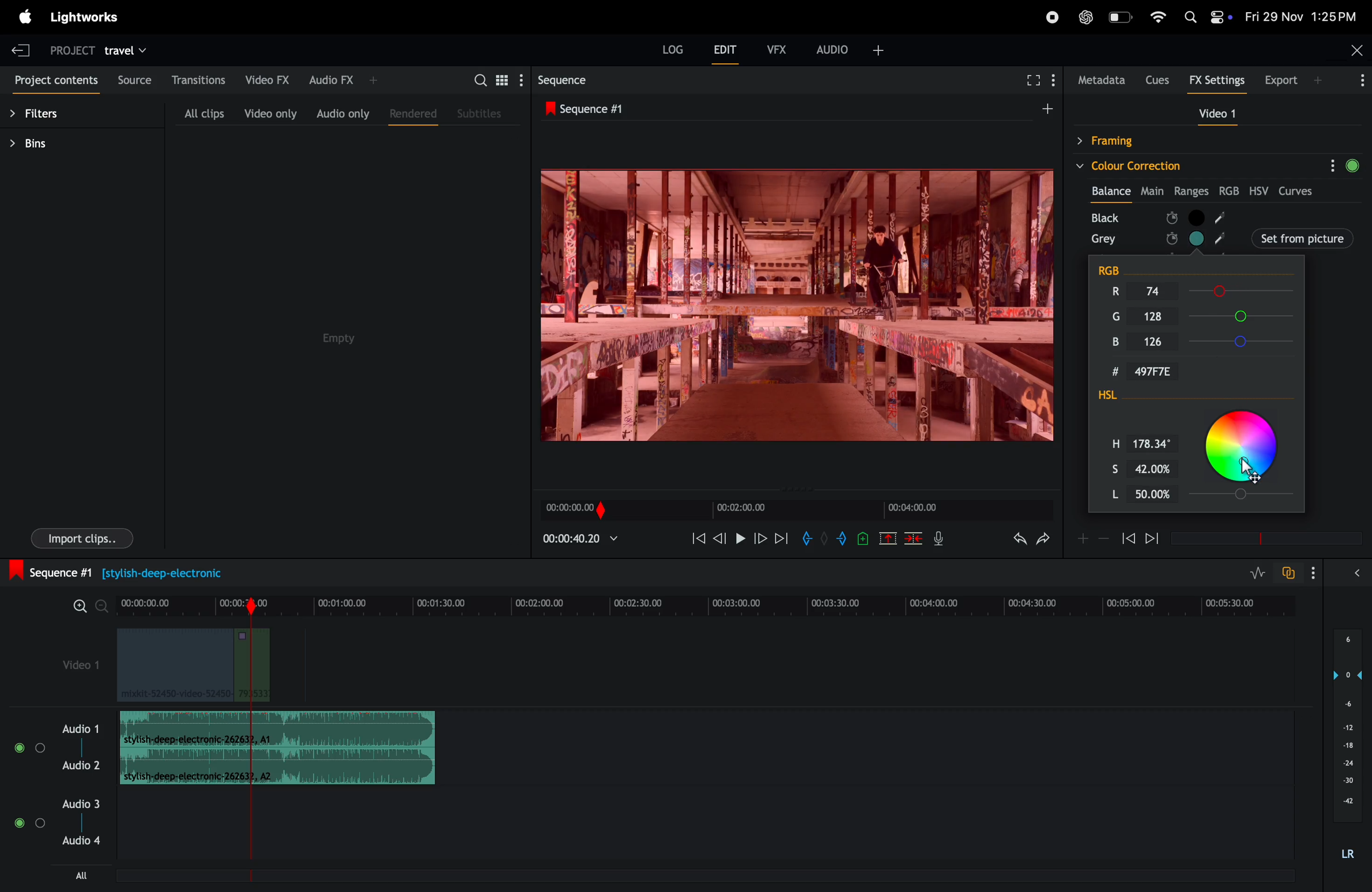 The width and height of the screenshot is (1372, 892). I want to click on mic, so click(942, 538).